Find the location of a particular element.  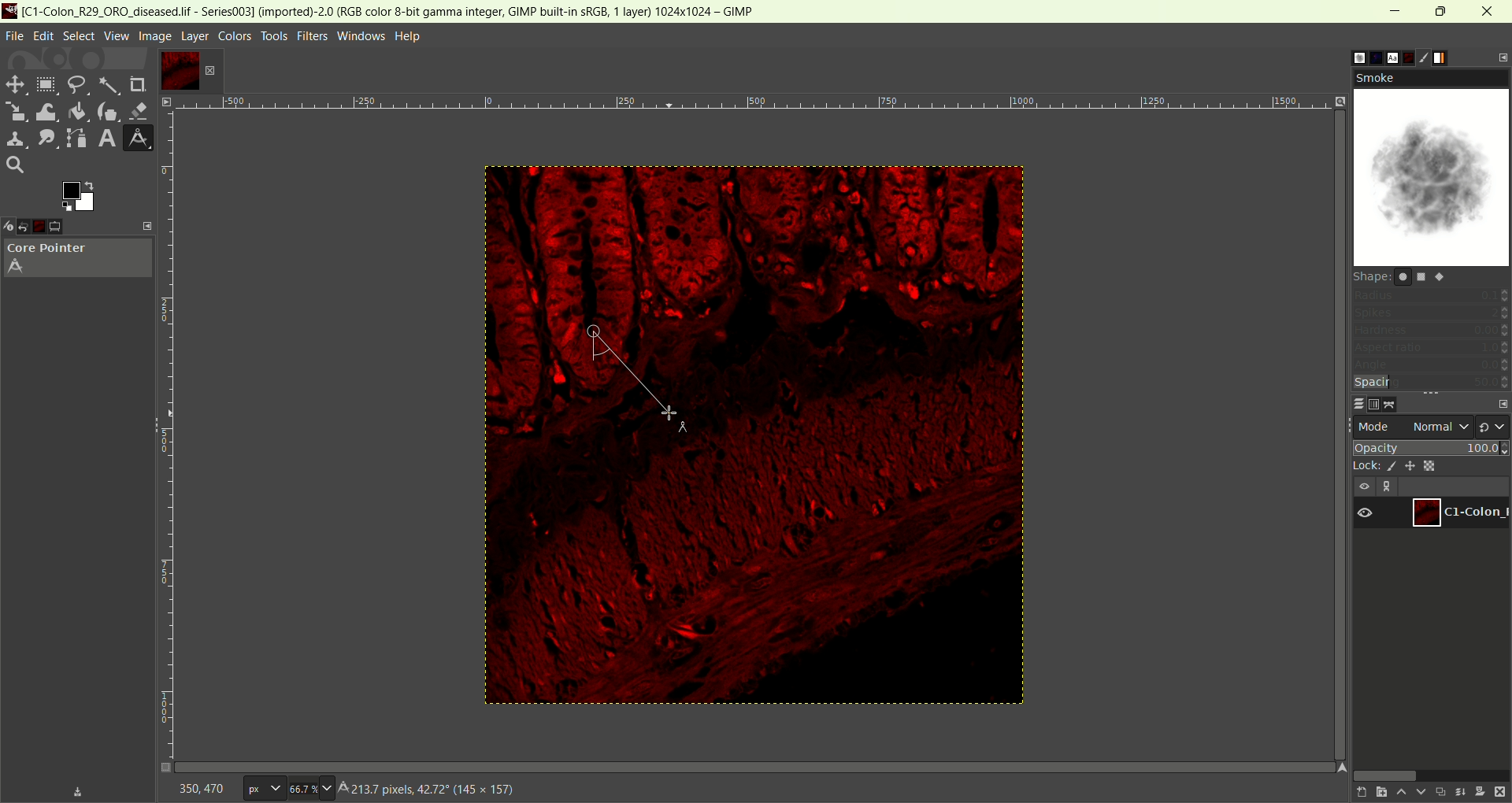

visibility is located at coordinates (1366, 514).